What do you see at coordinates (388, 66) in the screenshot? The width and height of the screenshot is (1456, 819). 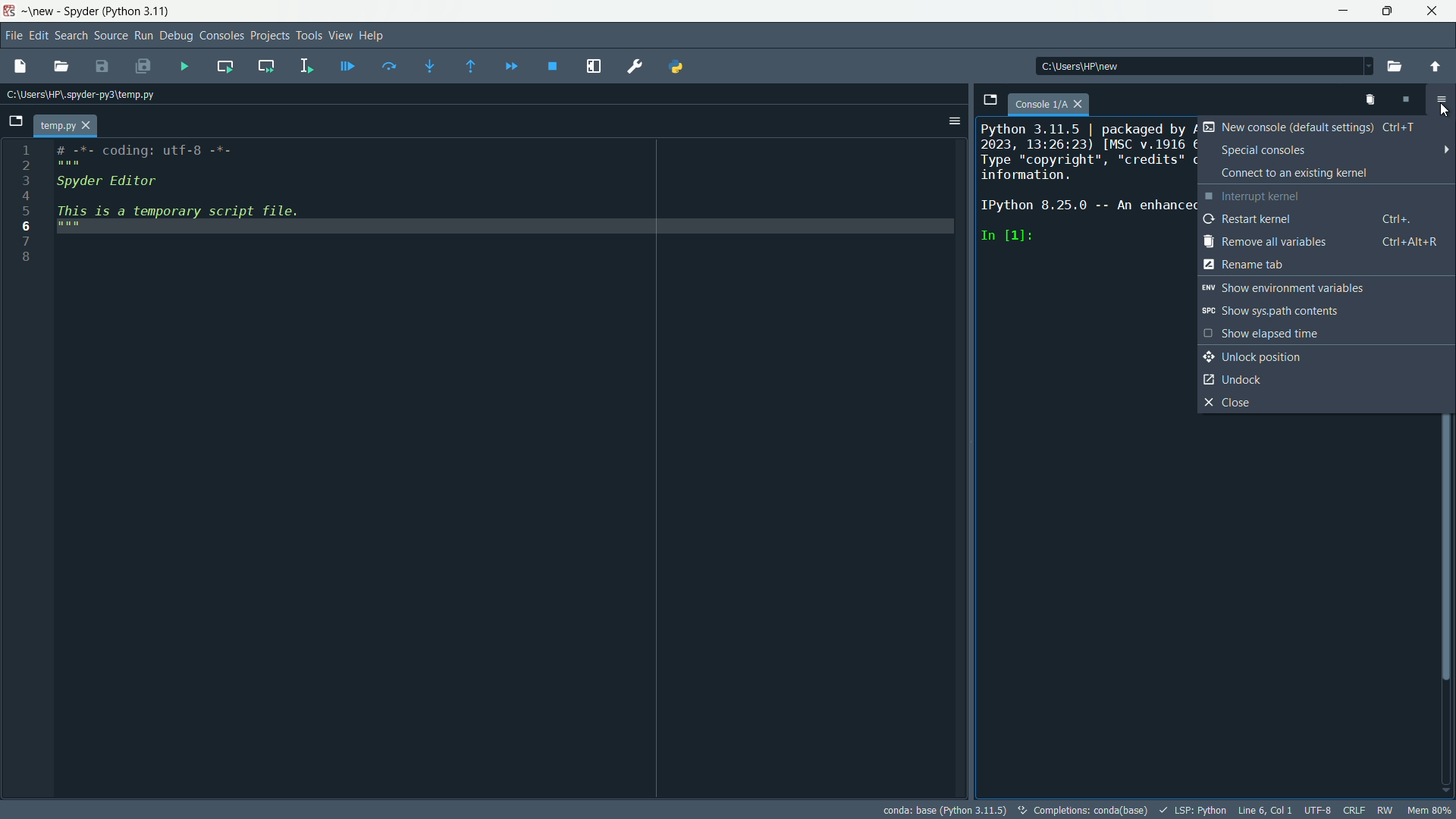 I see `execute current line` at bounding box center [388, 66].